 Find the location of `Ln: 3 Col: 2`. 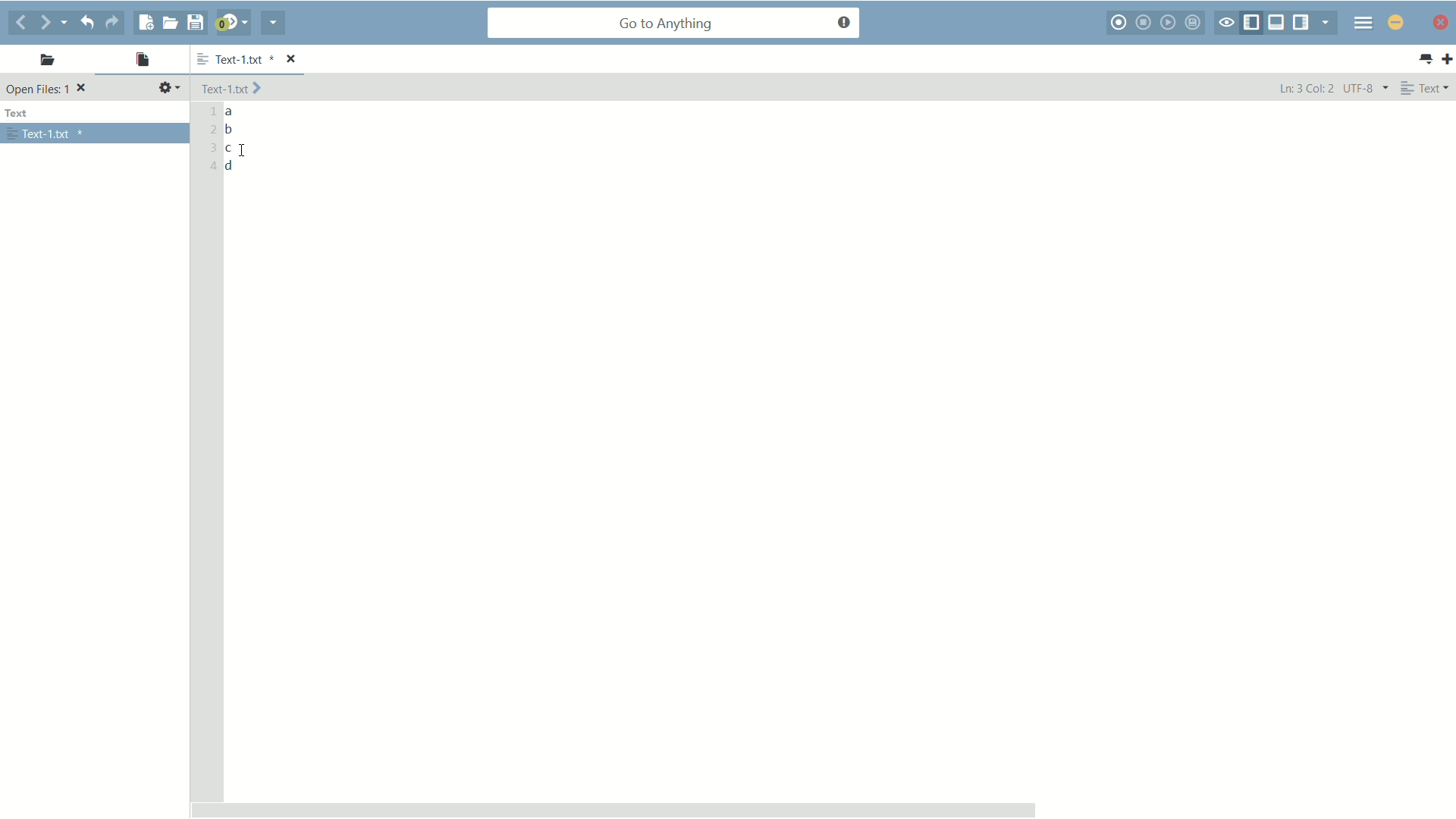

Ln: 3 Col: 2 is located at coordinates (1305, 89).